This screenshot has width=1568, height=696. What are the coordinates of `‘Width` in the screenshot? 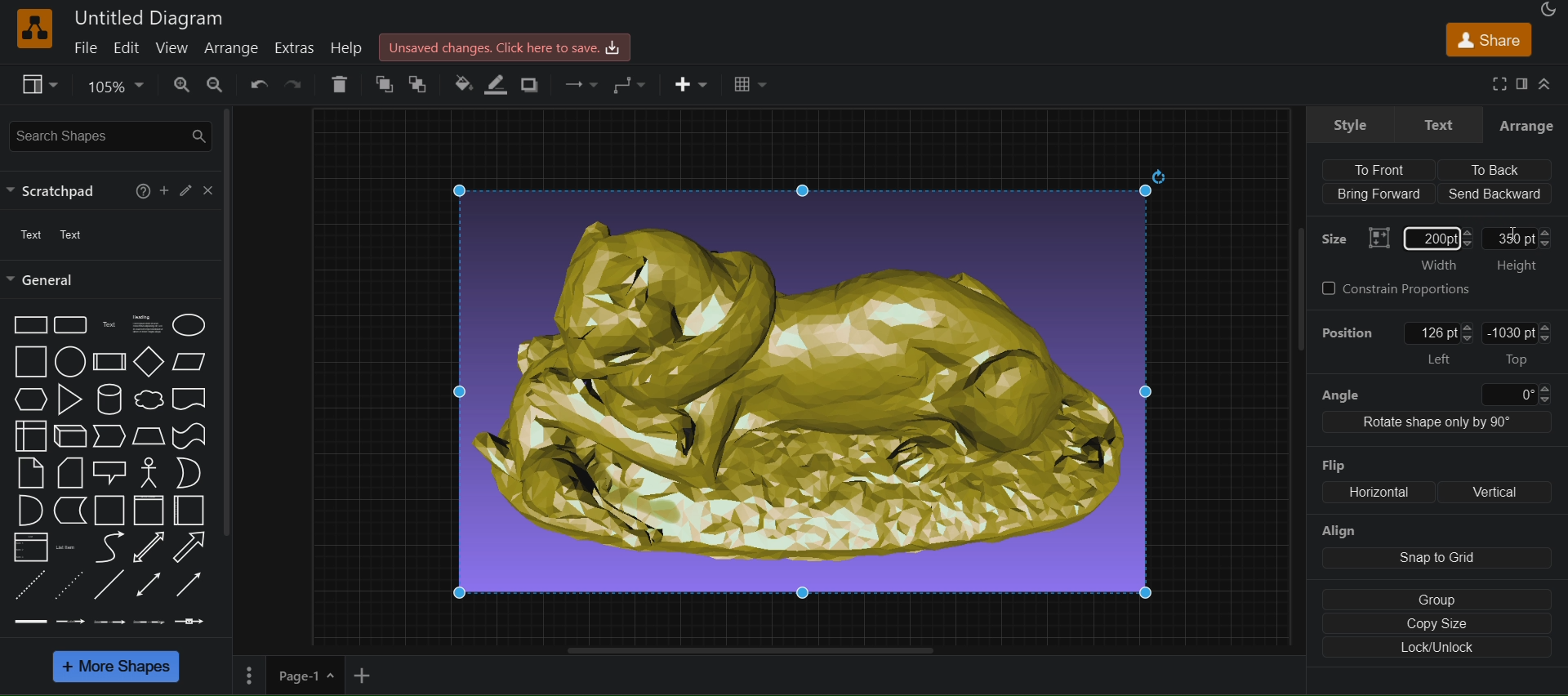 It's located at (1436, 265).